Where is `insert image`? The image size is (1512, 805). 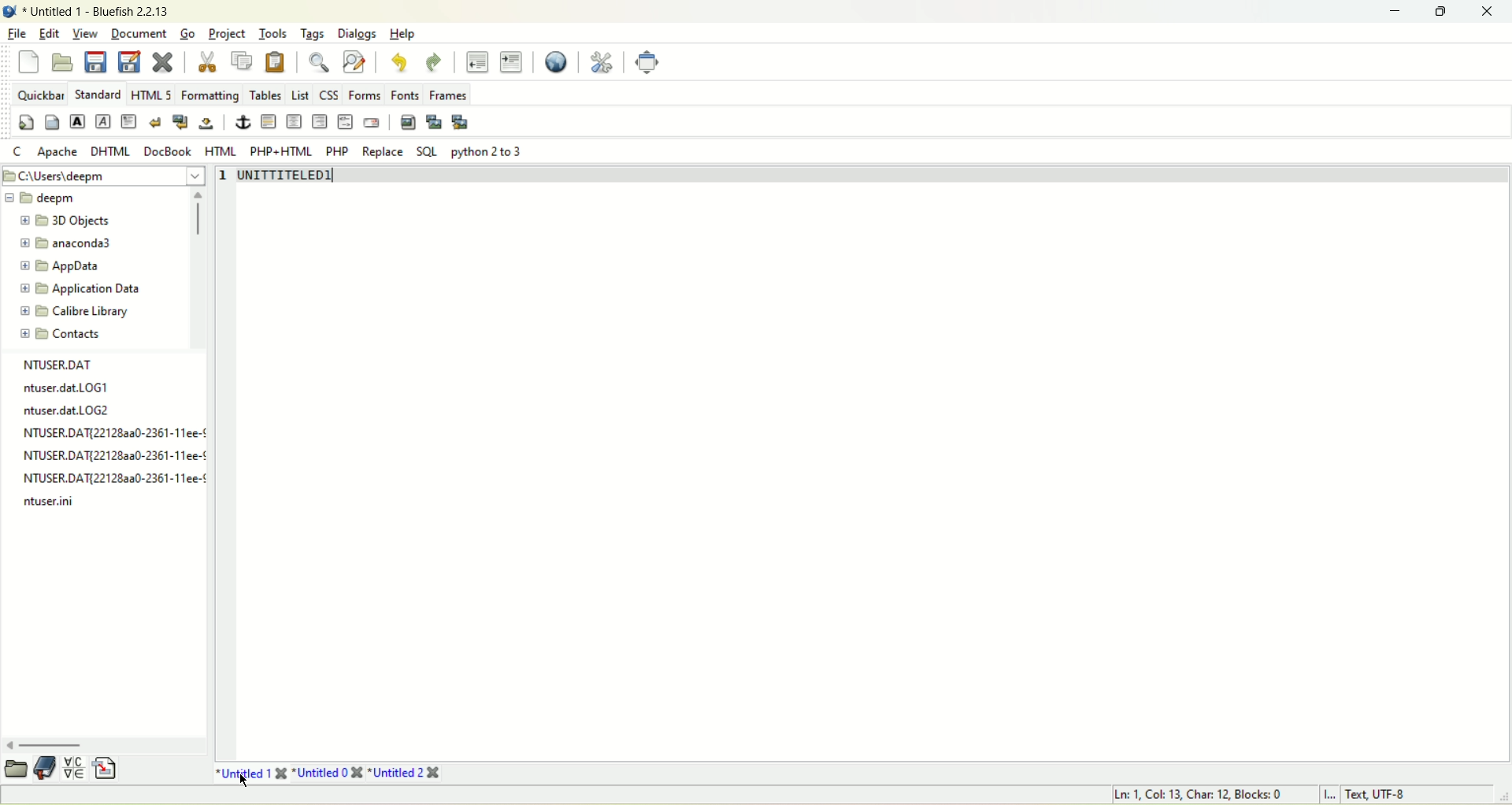
insert image is located at coordinates (406, 123).